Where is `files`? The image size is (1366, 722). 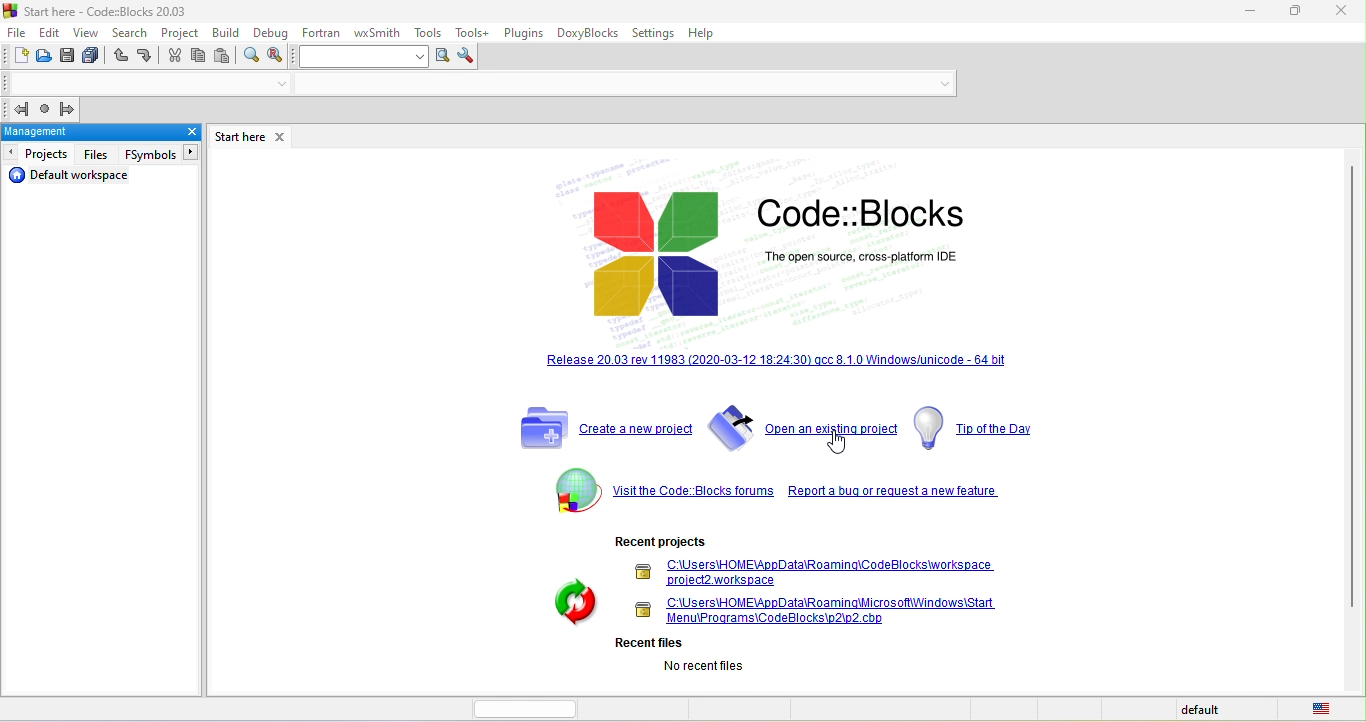 files is located at coordinates (100, 155).